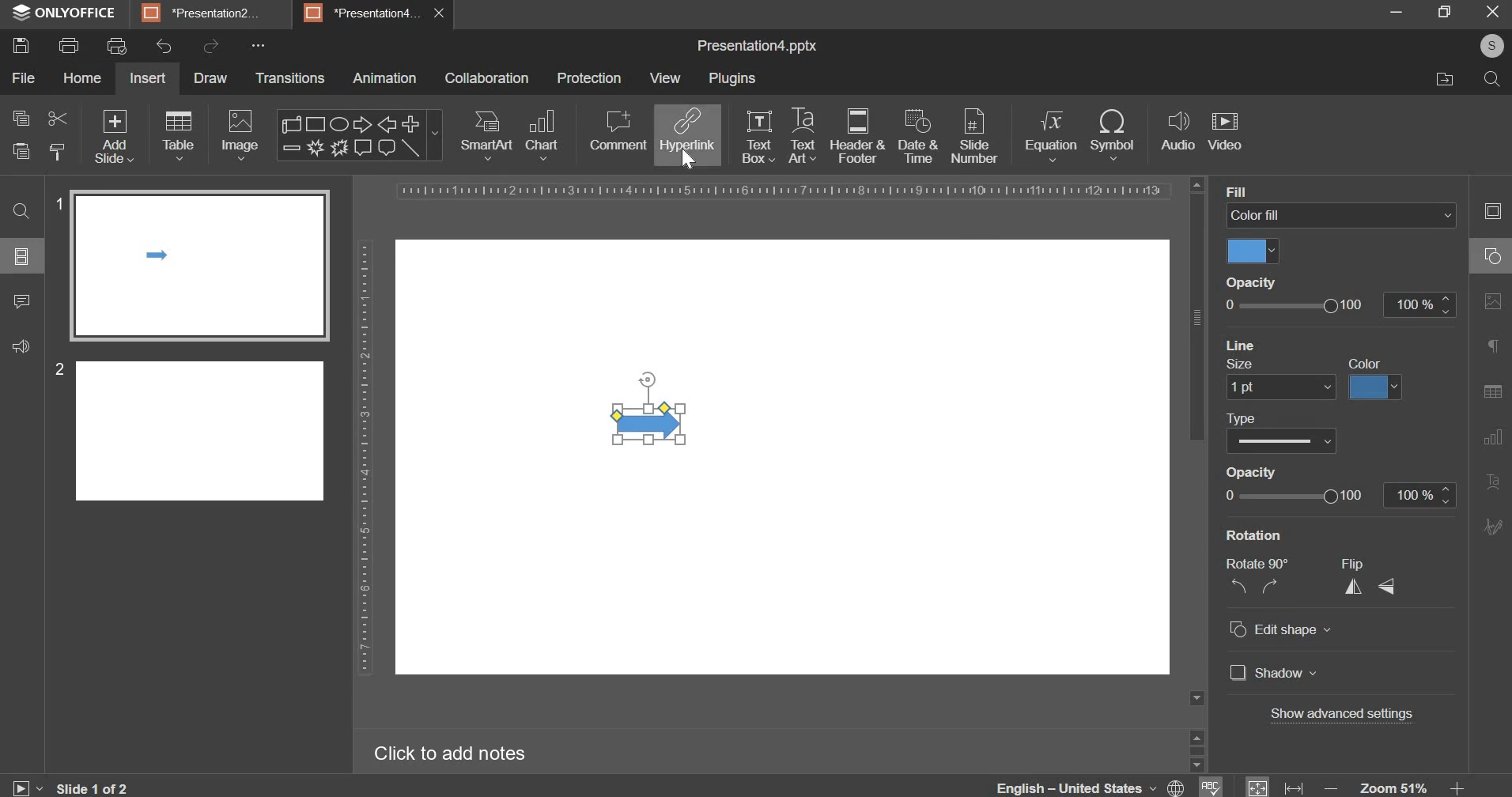 This screenshot has width=1512, height=797. What do you see at coordinates (189, 428) in the screenshot?
I see `slide 2` at bounding box center [189, 428].